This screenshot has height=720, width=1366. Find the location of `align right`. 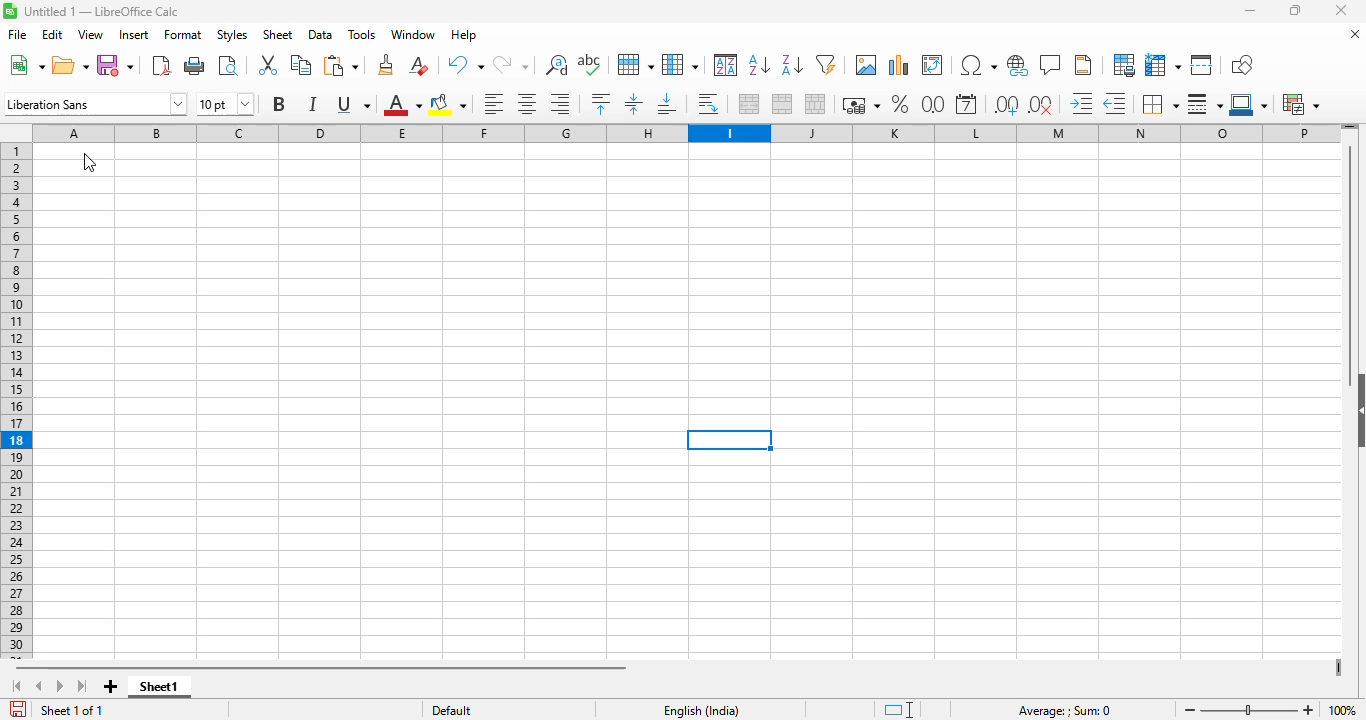

align right is located at coordinates (561, 104).